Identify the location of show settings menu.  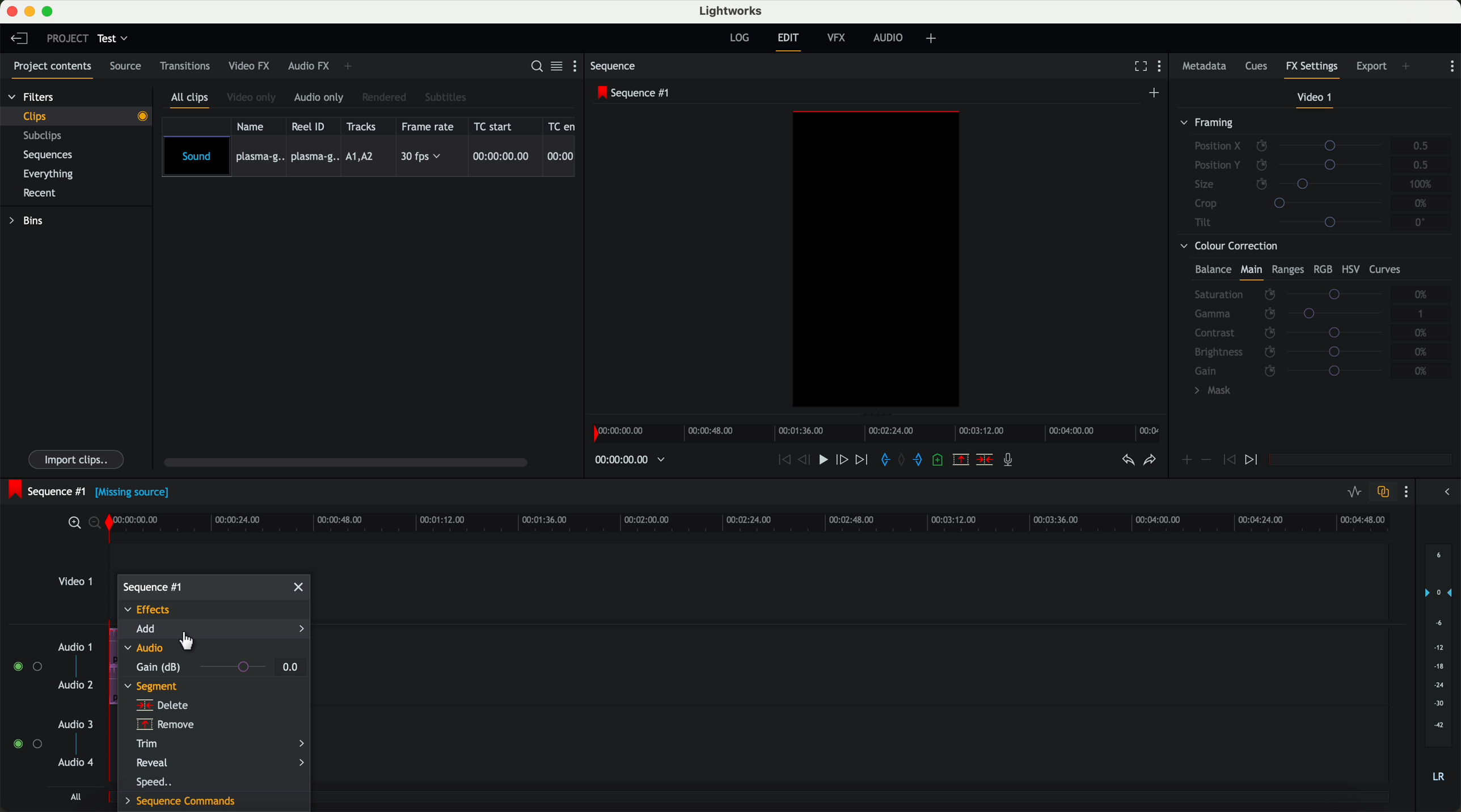
(1164, 68).